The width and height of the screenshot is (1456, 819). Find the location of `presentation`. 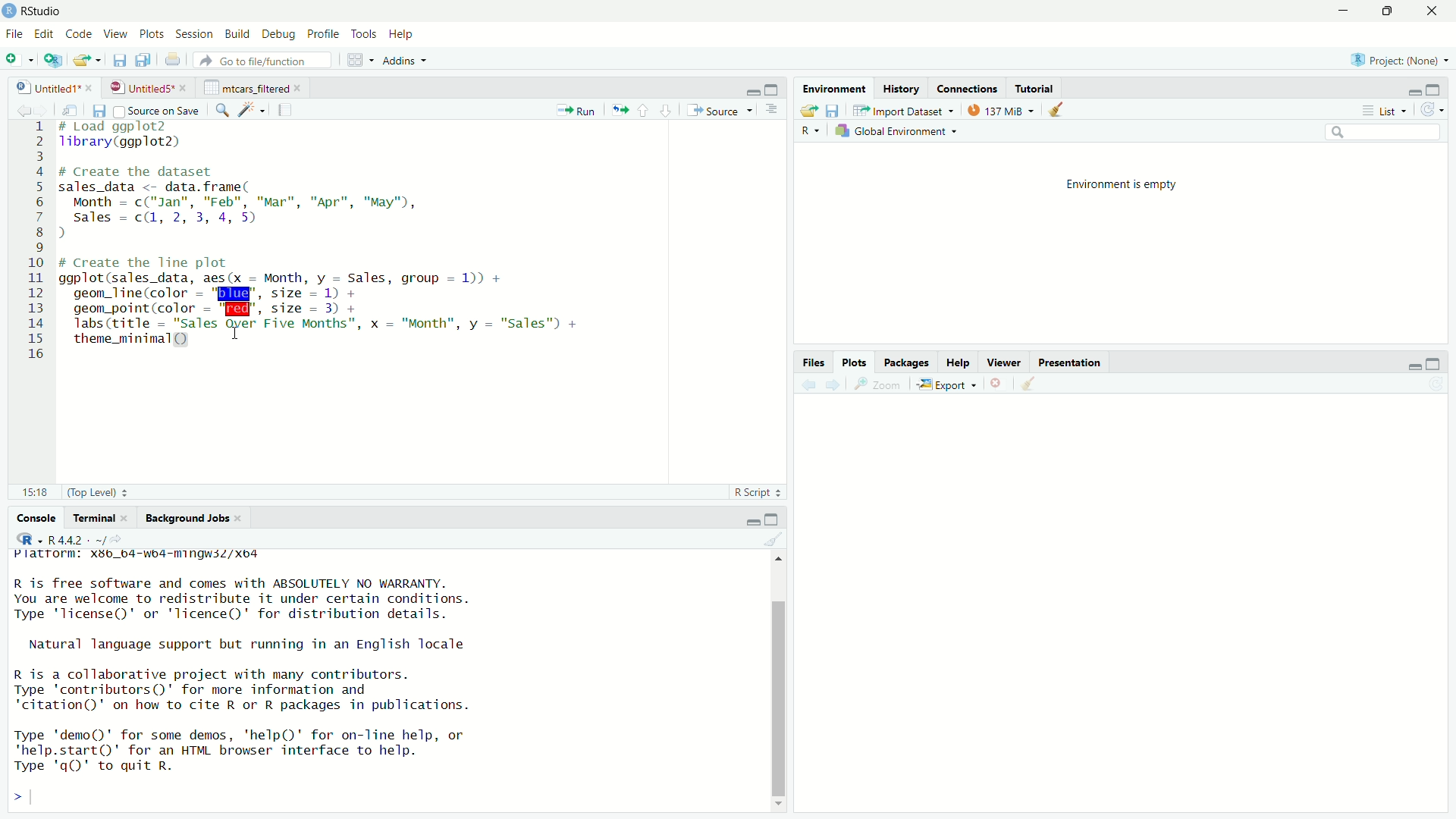

presentation is located at coordinates (1072, 364).